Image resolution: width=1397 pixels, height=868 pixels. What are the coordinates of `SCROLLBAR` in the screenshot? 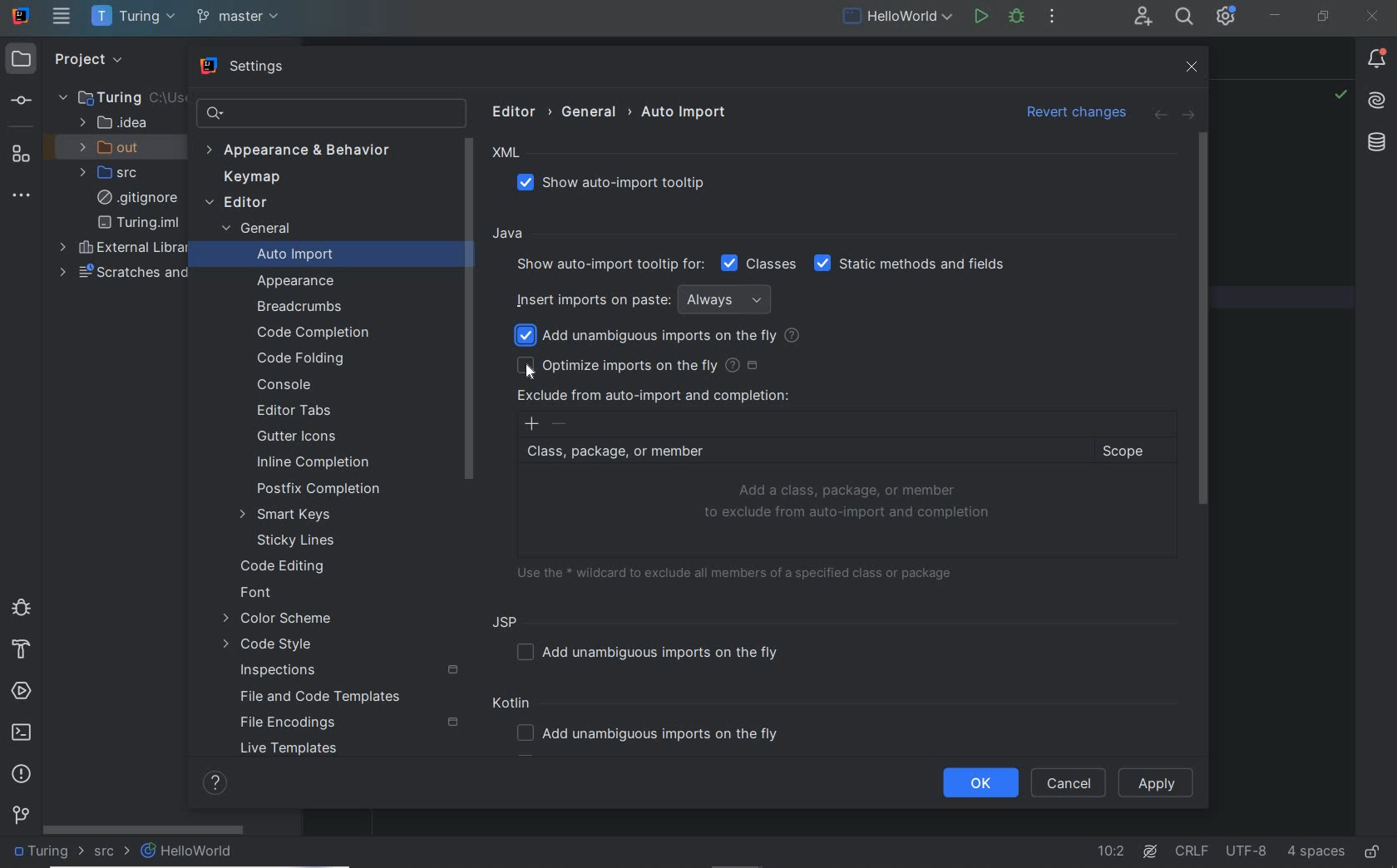 It's located at (144, 827).